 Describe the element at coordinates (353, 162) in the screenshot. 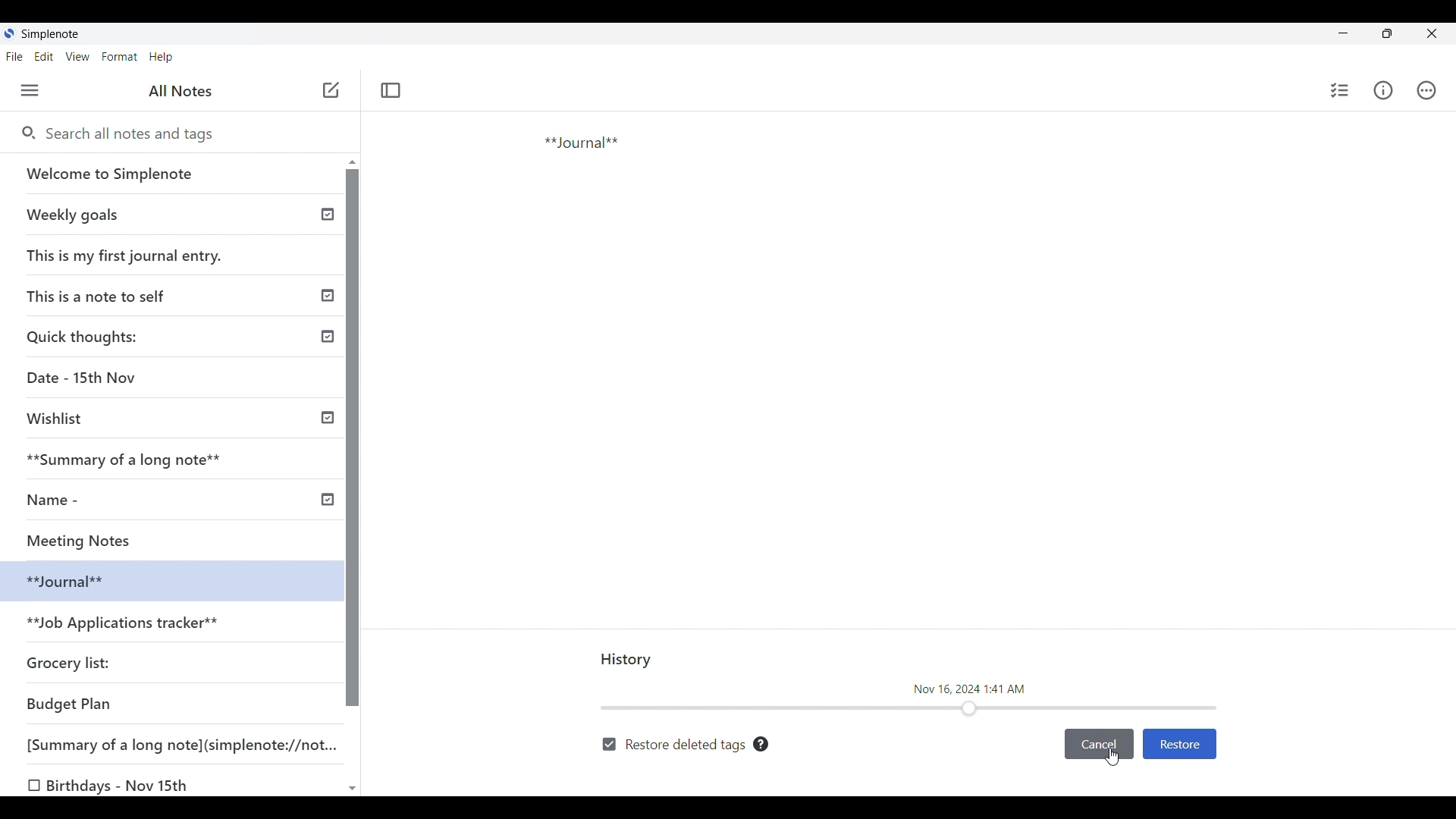

I see `Quick slide to top` at that location.